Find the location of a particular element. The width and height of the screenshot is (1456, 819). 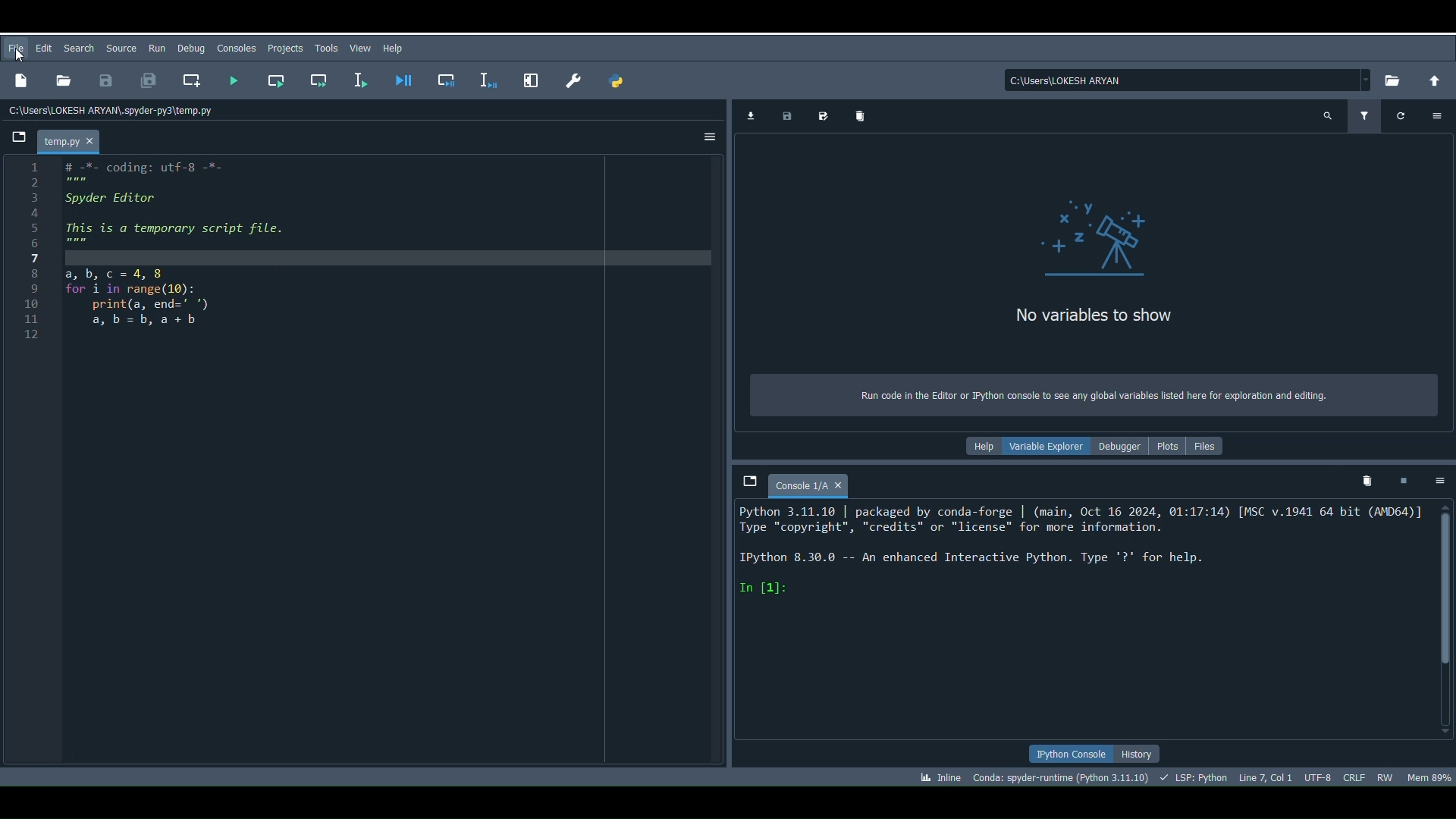

Options is located at coordinates (1432, 478).